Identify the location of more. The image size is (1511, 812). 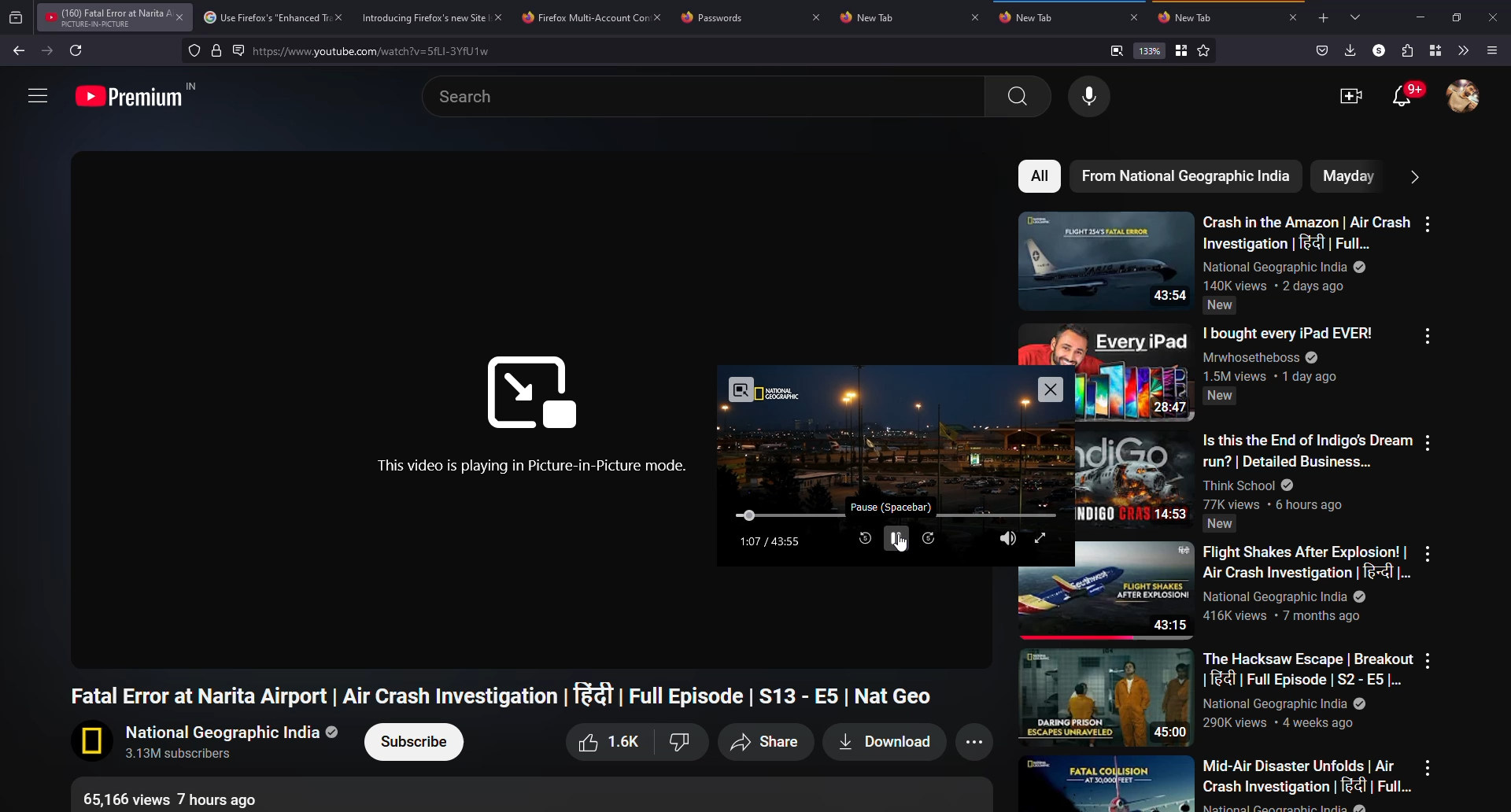
(1428, 660).